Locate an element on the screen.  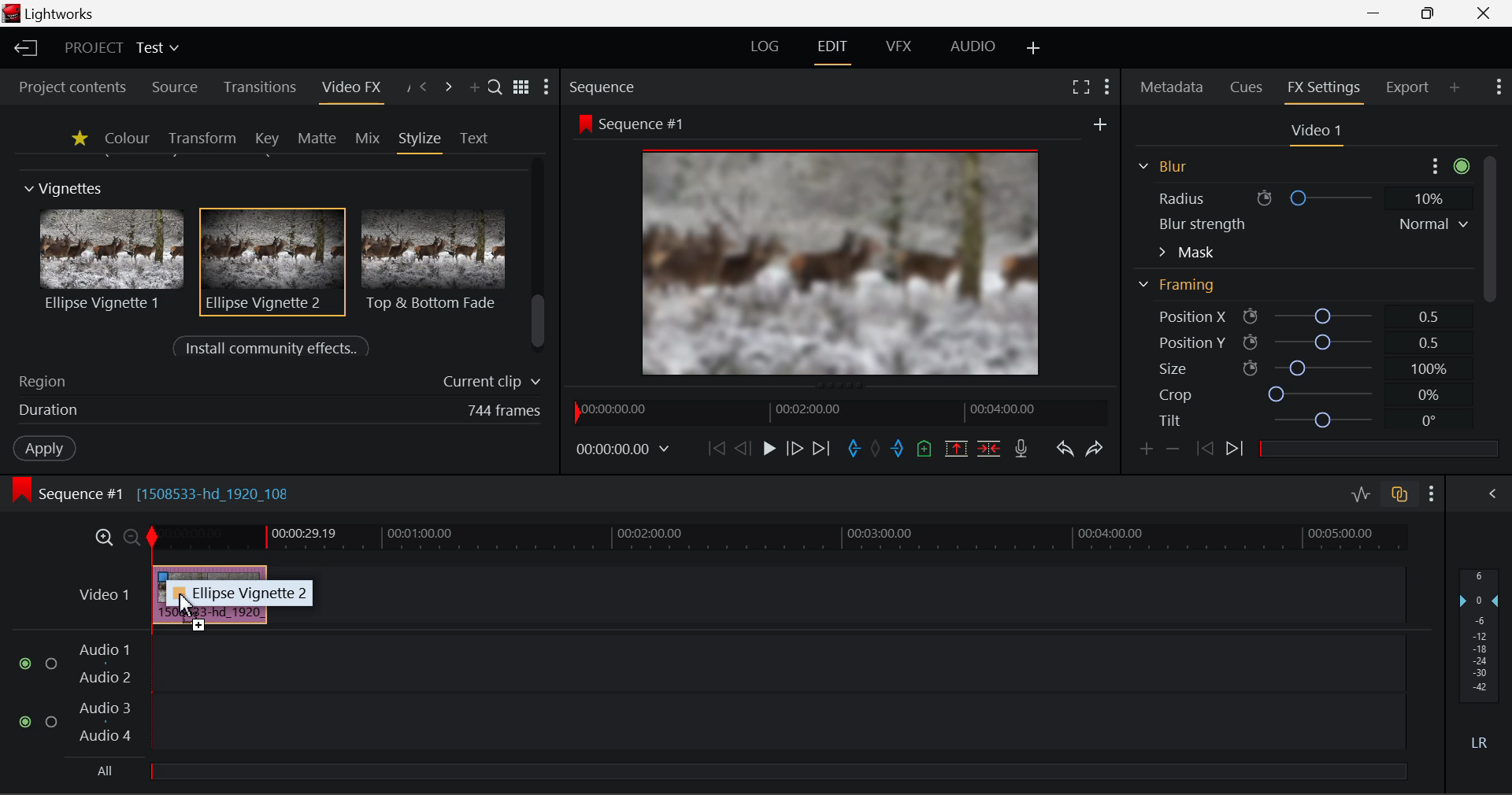
Transform is located at coordinates (202, 138).